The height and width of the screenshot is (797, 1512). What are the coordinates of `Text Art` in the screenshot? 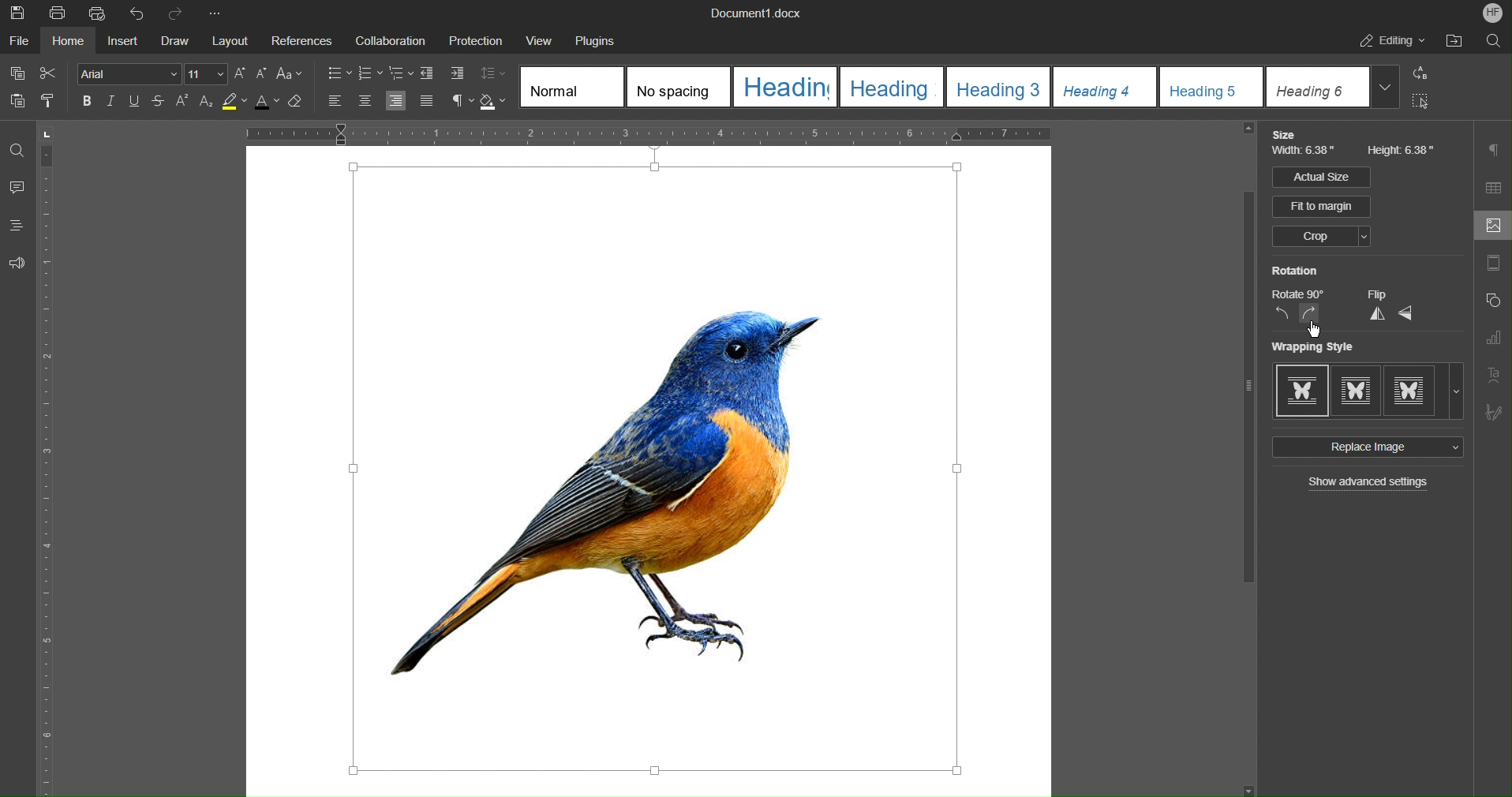 It's located at (1493, 374).